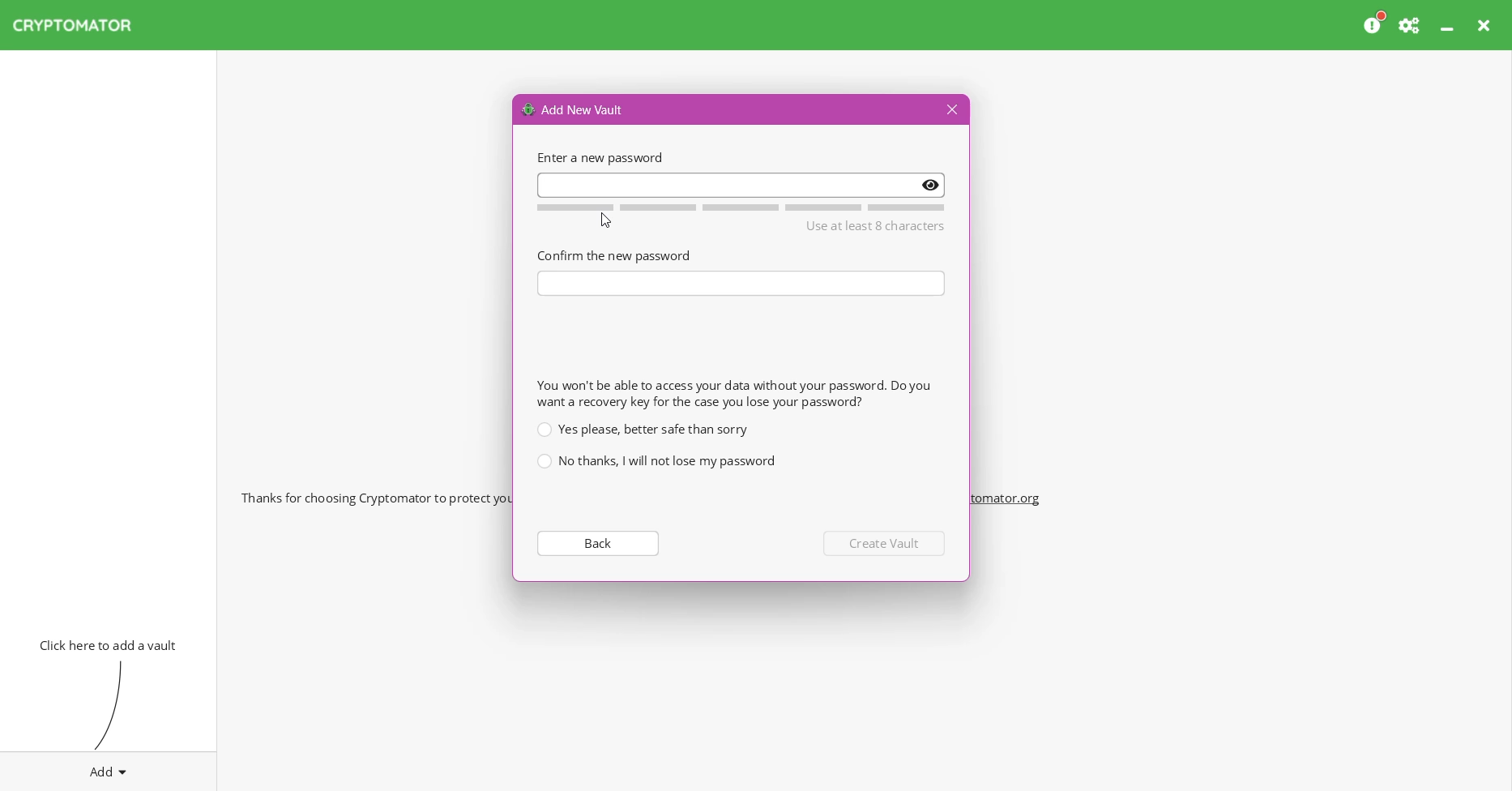 The height and width of the screenshot is (791, 1512). Describe the element at coordinates (598, 157) in the screenshot. I see `Enter a new password` at that location.